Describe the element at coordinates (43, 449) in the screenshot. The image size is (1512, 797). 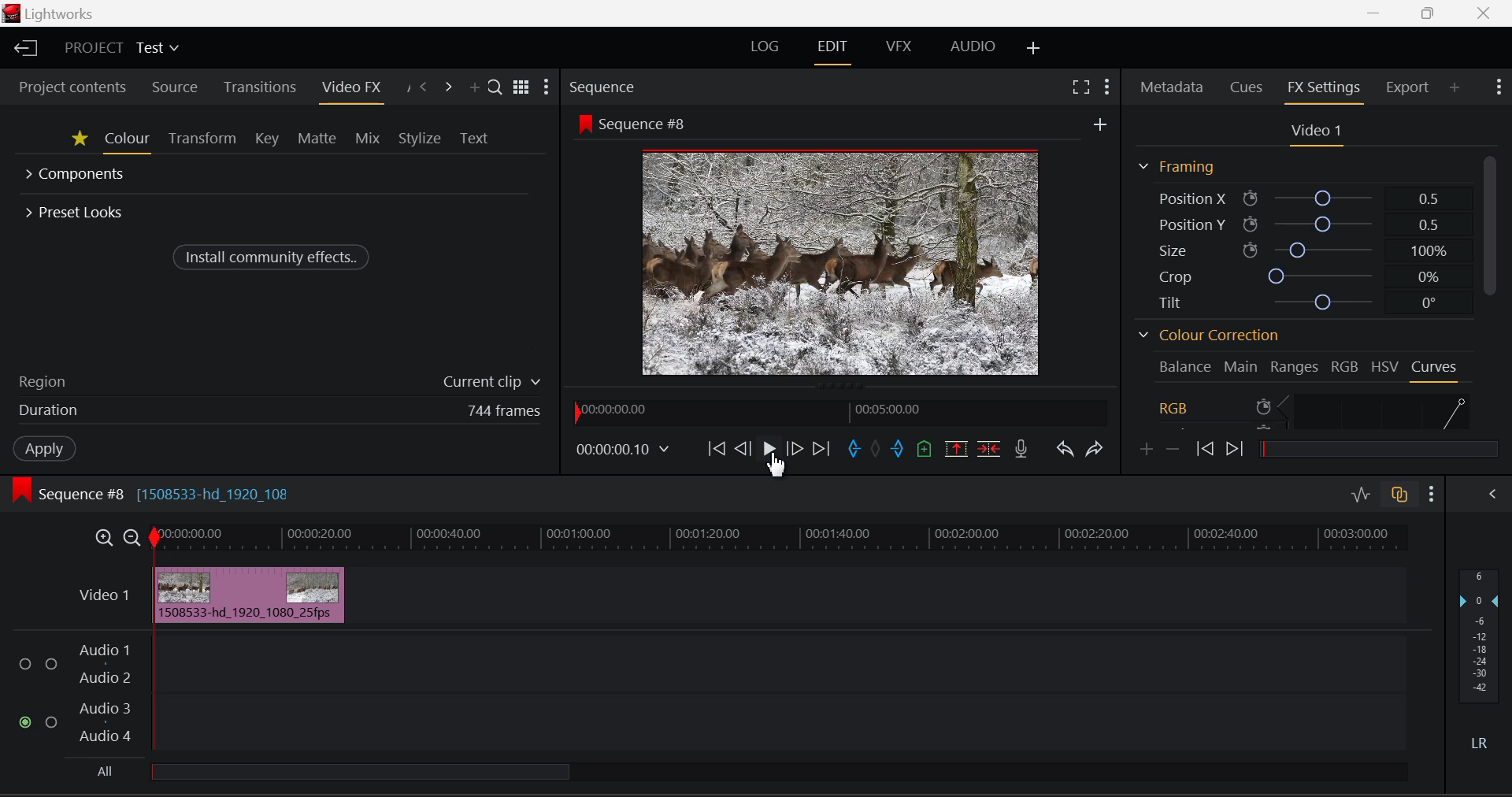
I see `Apply` at that location.